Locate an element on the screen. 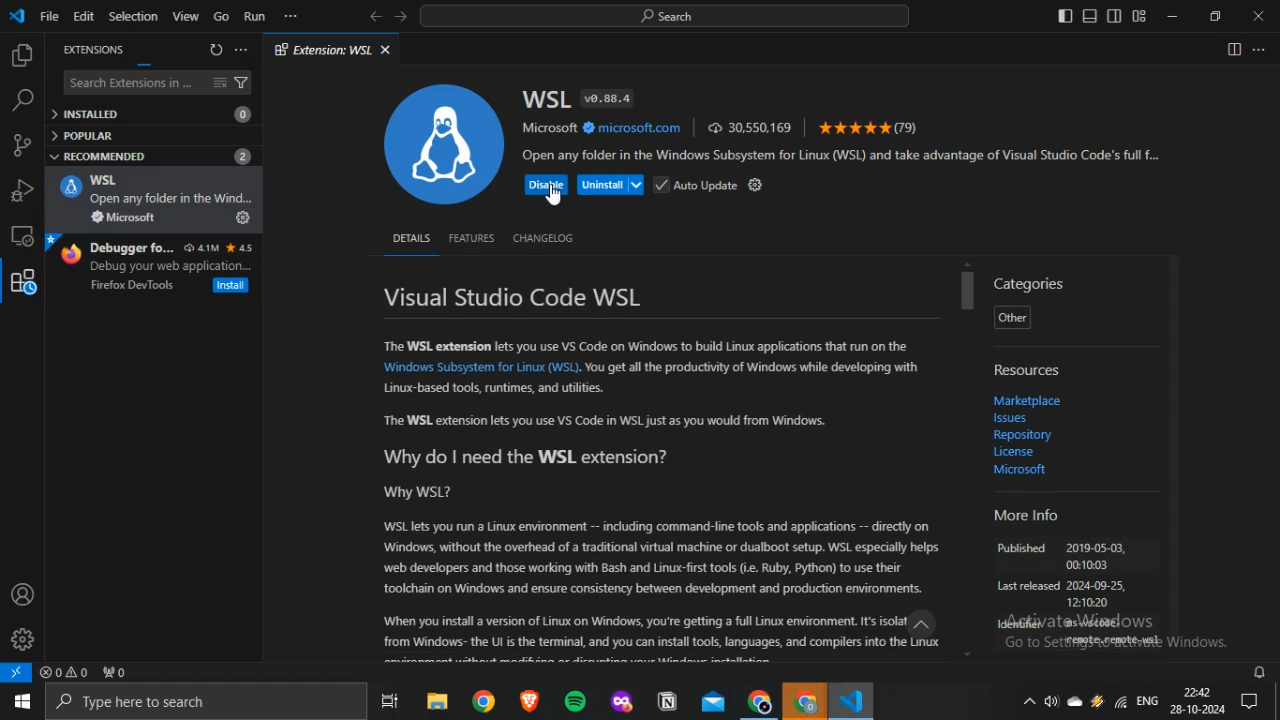  2019-05-03 is located at coordinates (1096, 549).